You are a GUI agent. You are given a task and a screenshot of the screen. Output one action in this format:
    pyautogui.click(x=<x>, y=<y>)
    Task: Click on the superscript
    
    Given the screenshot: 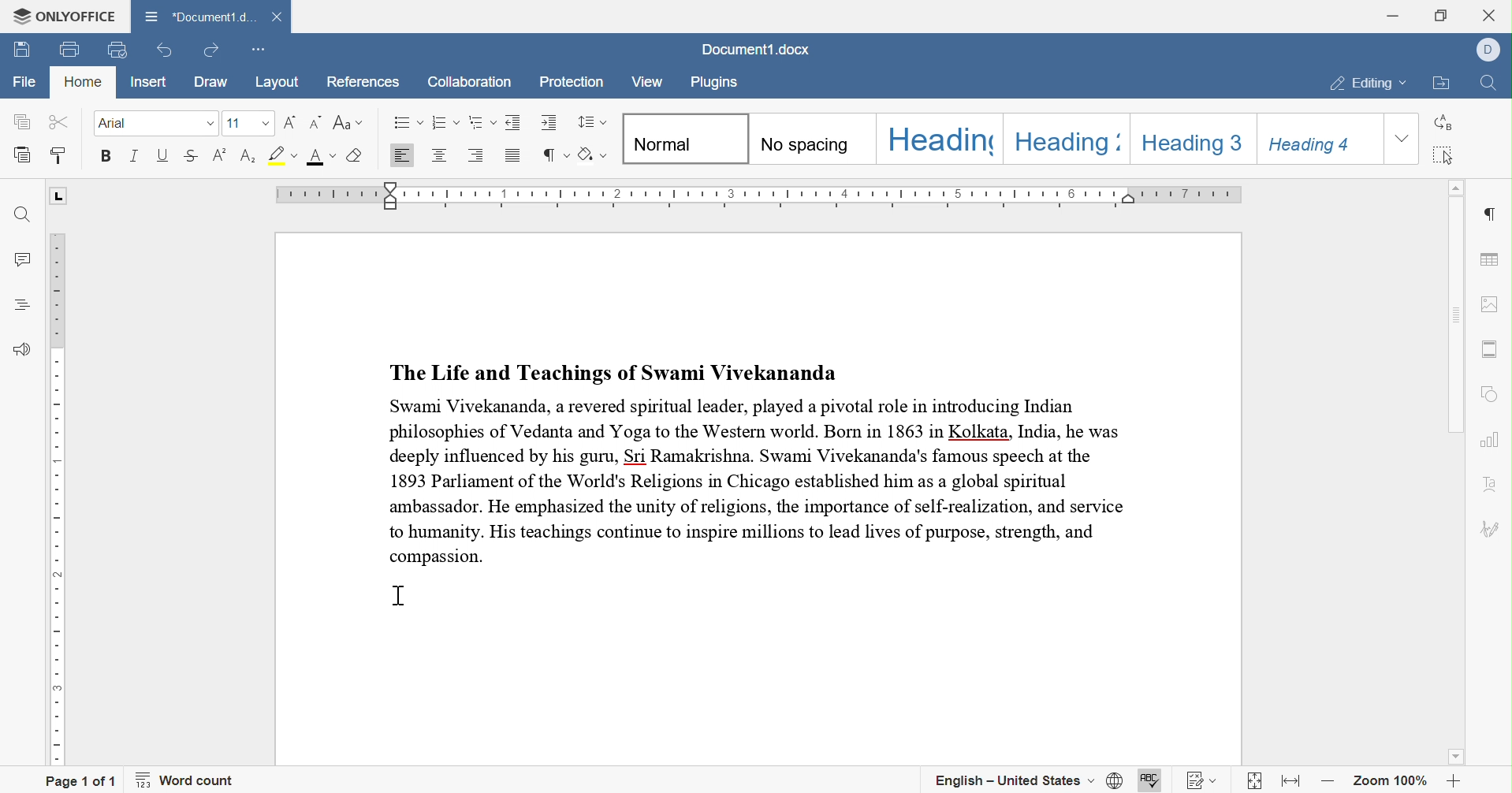 What is the action you would take?
    pyautogui.click(x=220, y=155)
    